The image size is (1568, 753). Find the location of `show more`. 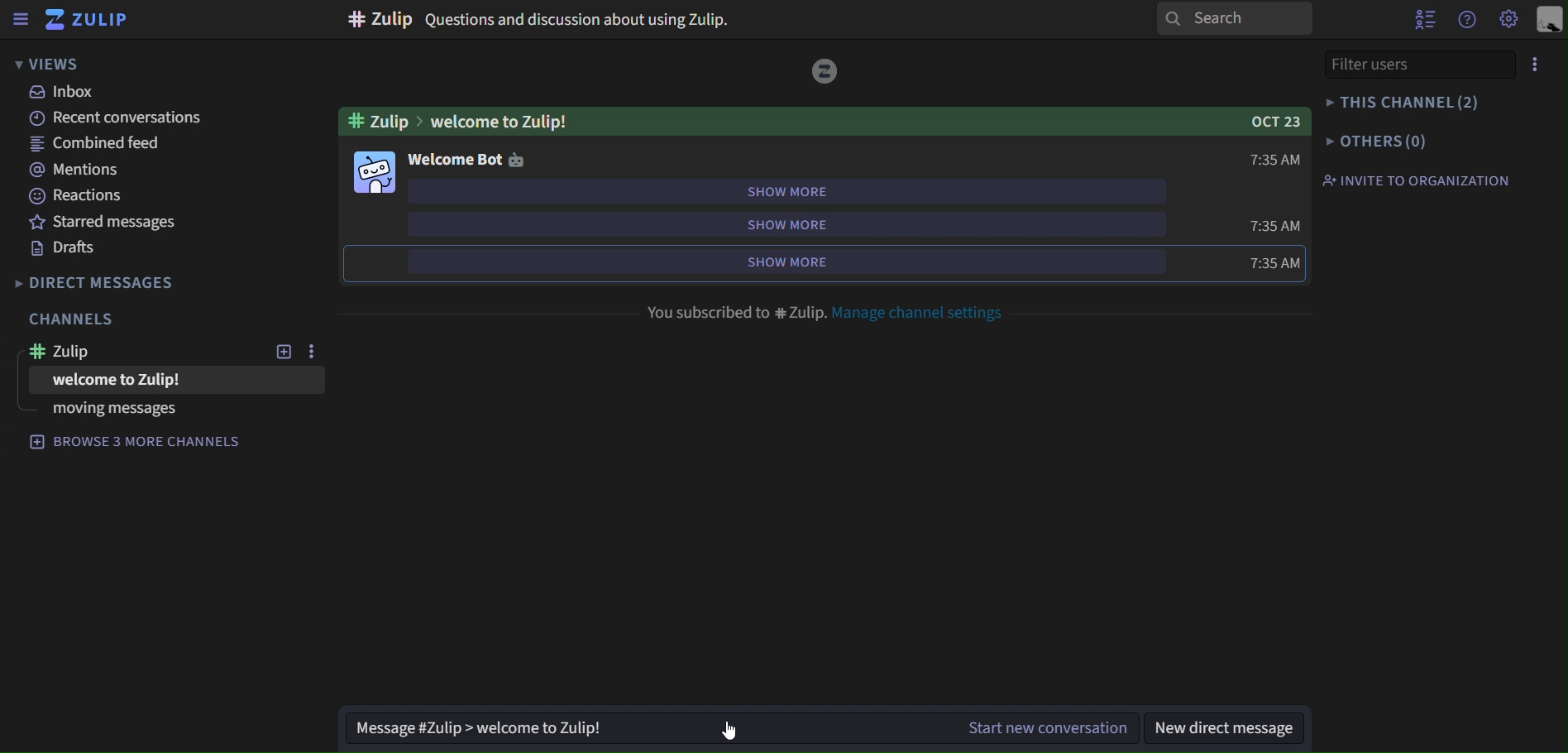

show more is located at coordinates (820, 261).